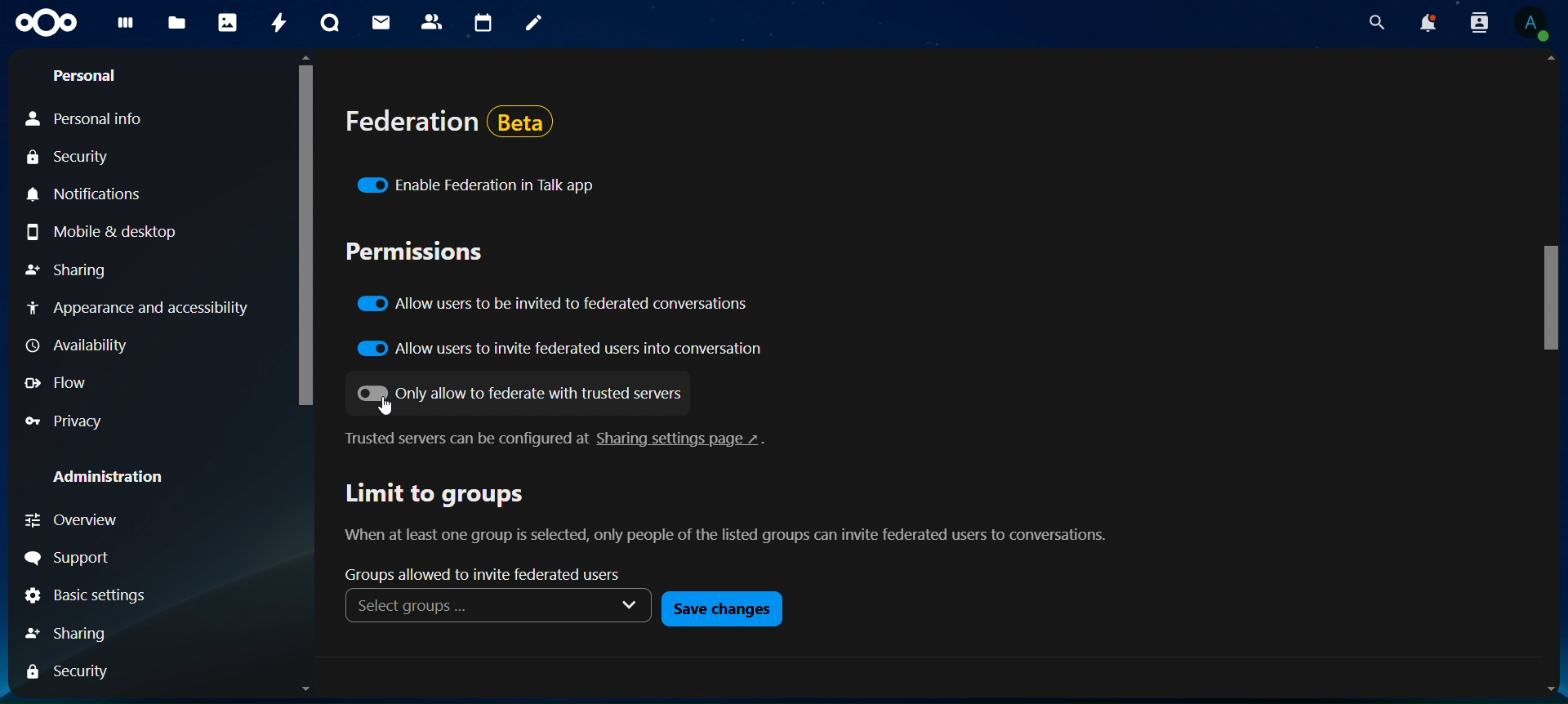 The image size is (1568, 704). What do you see at coordinates (69, 274) in the screenshot?
I see `sharing` at bounding box center [69, 274].